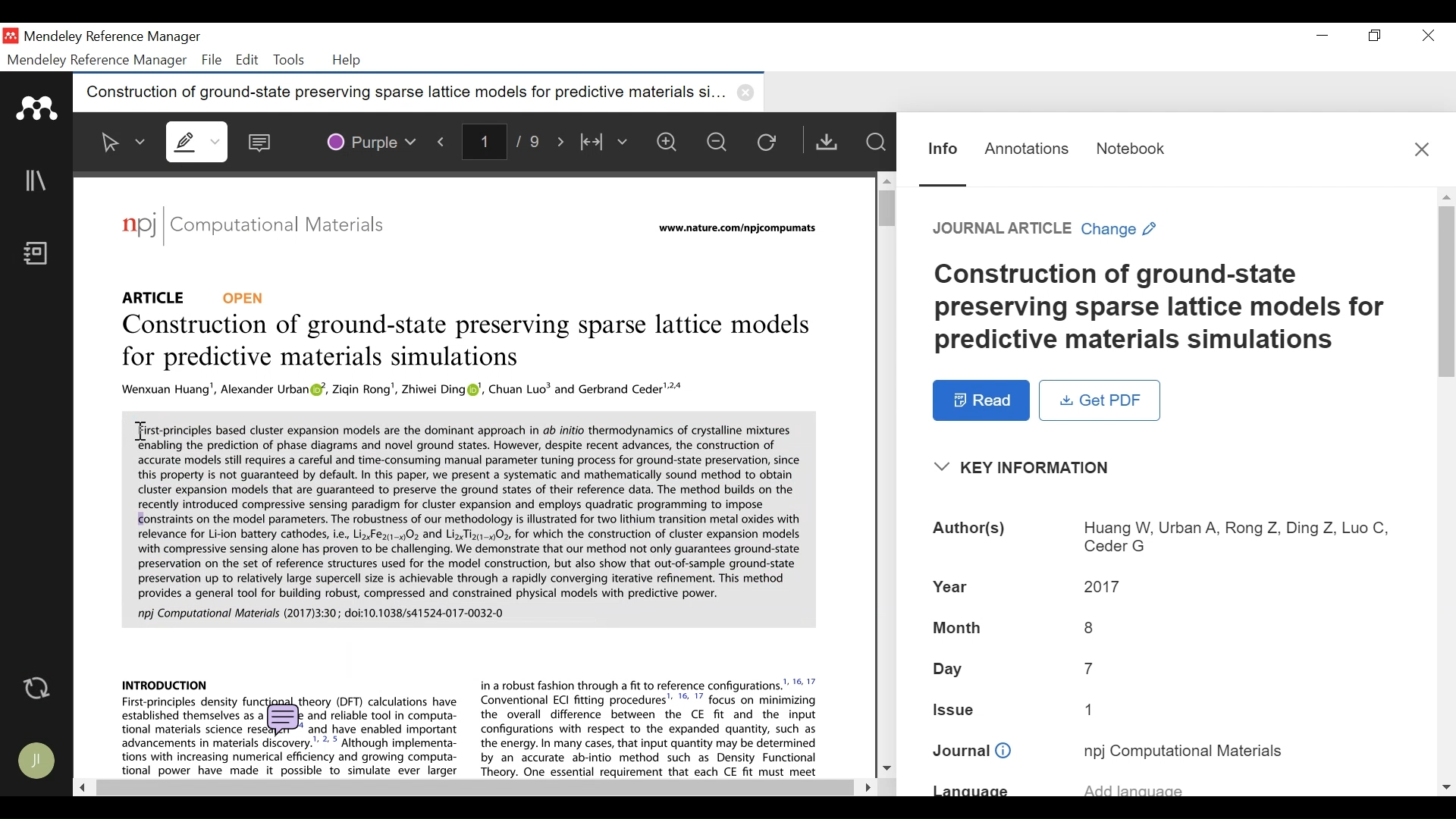 The height and width of the screenshot is (819, 1456). What do you see at coordinates (718, 141) in the screenshot?
I see `Zoom out` at bounding box center [718, 141].